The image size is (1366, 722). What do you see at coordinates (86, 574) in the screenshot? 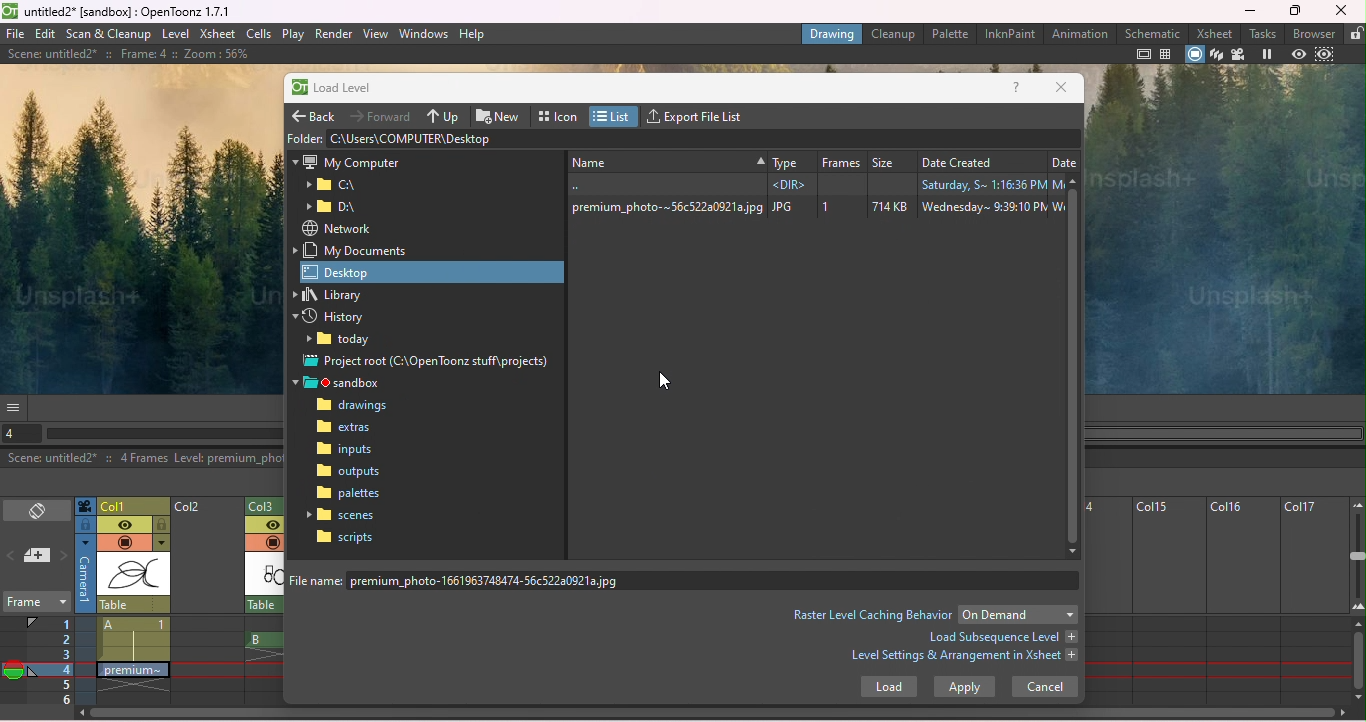
I see `Click to select camera` at bounding box center [86, 574].